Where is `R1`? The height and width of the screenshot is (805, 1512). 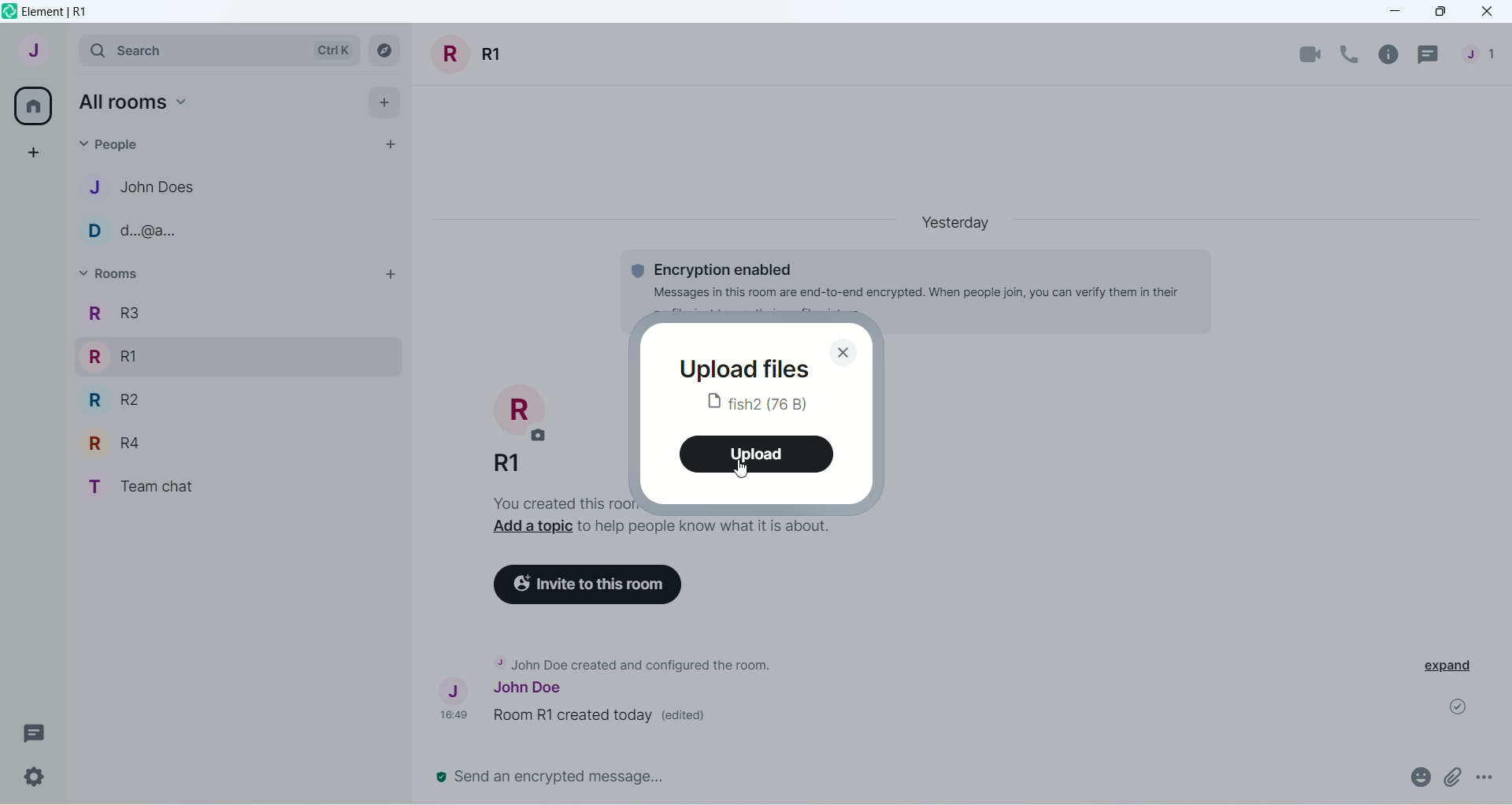
R1 is located at coordinates (487, 464).